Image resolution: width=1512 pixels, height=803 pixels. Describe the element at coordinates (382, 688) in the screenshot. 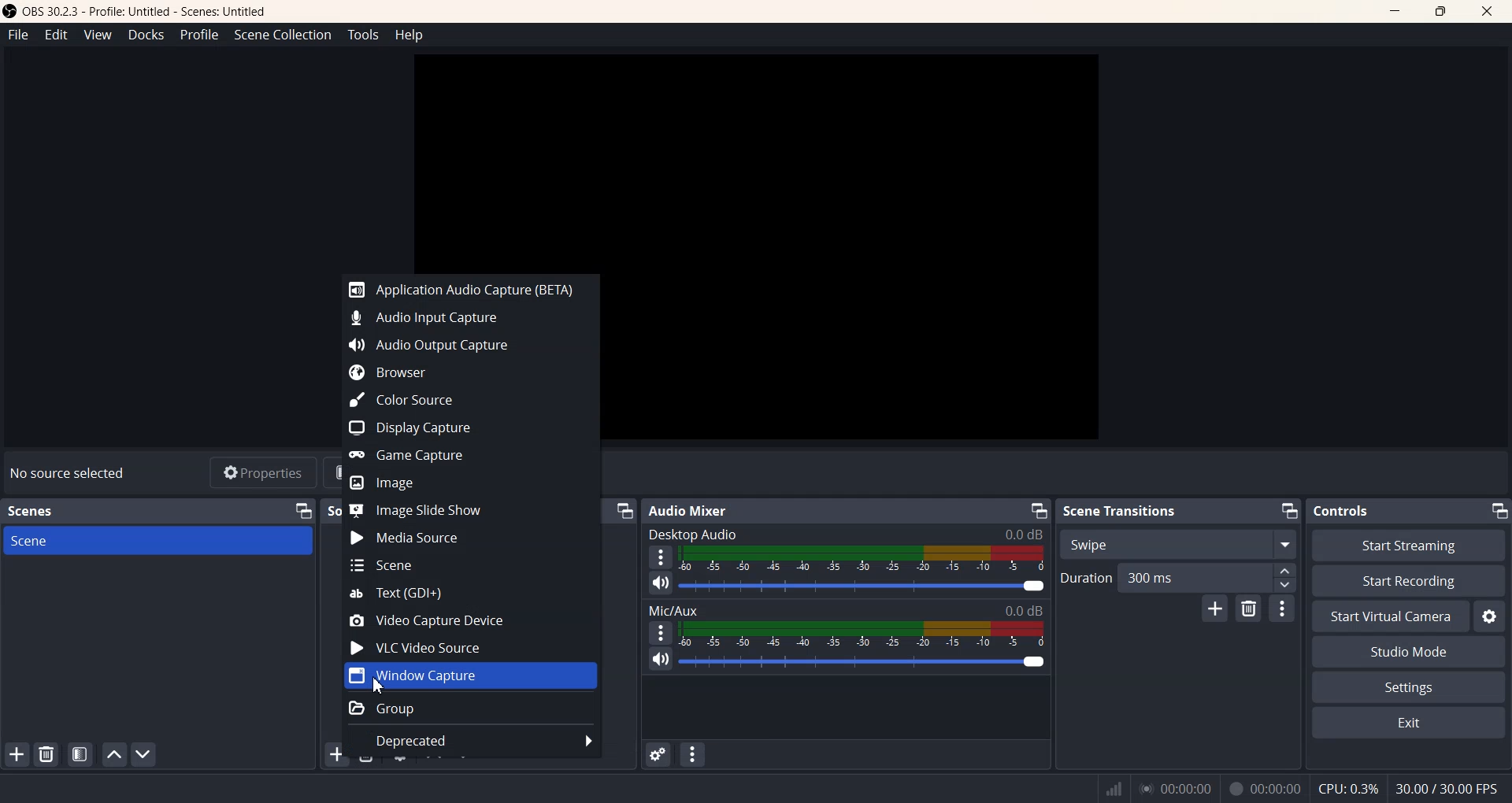

I see `Cursor` at that location.